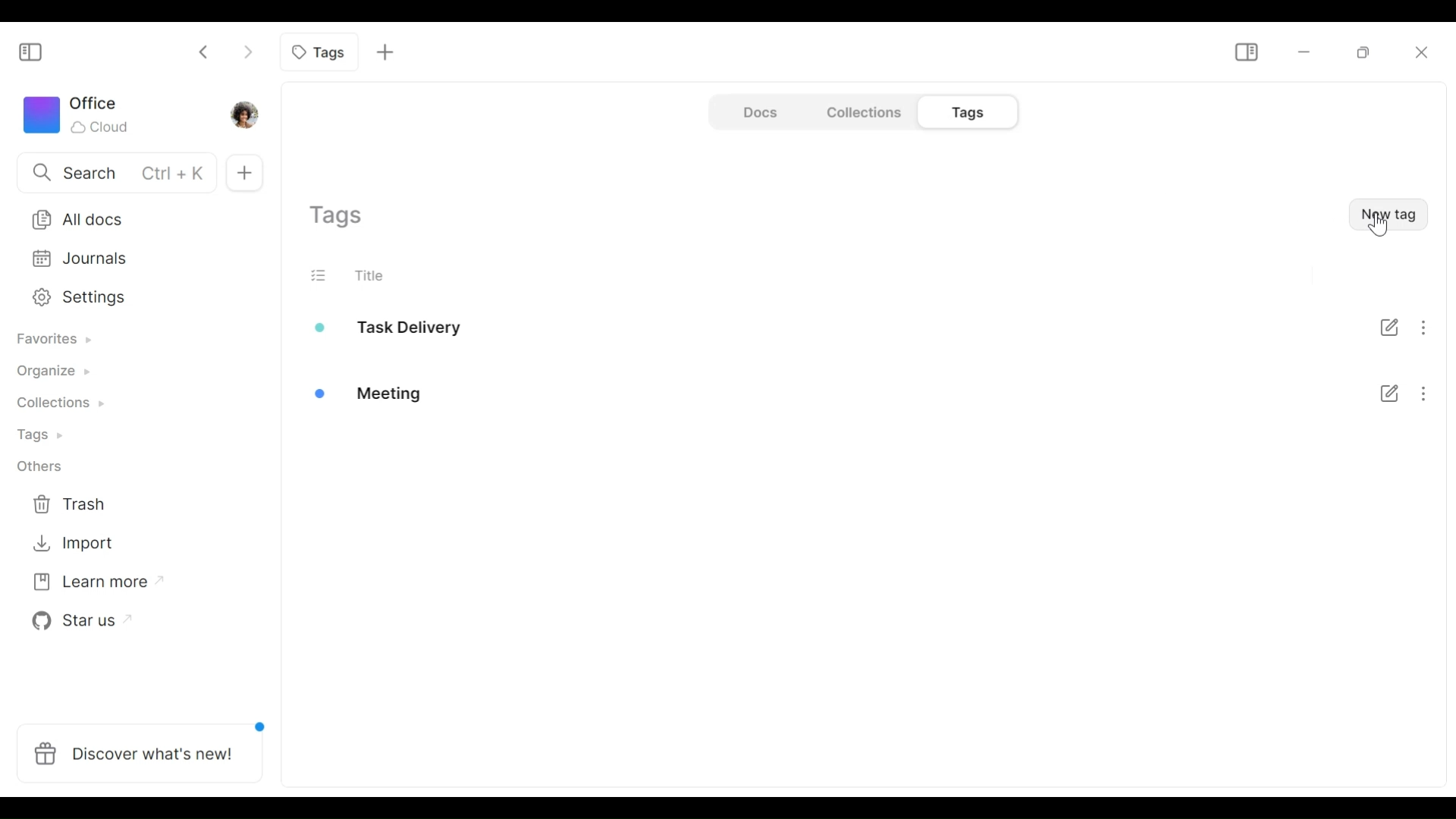  What do you see at coordinates (340, 218) in the screenshot?
I see `Show current tags` at bounding box center [340, 218].